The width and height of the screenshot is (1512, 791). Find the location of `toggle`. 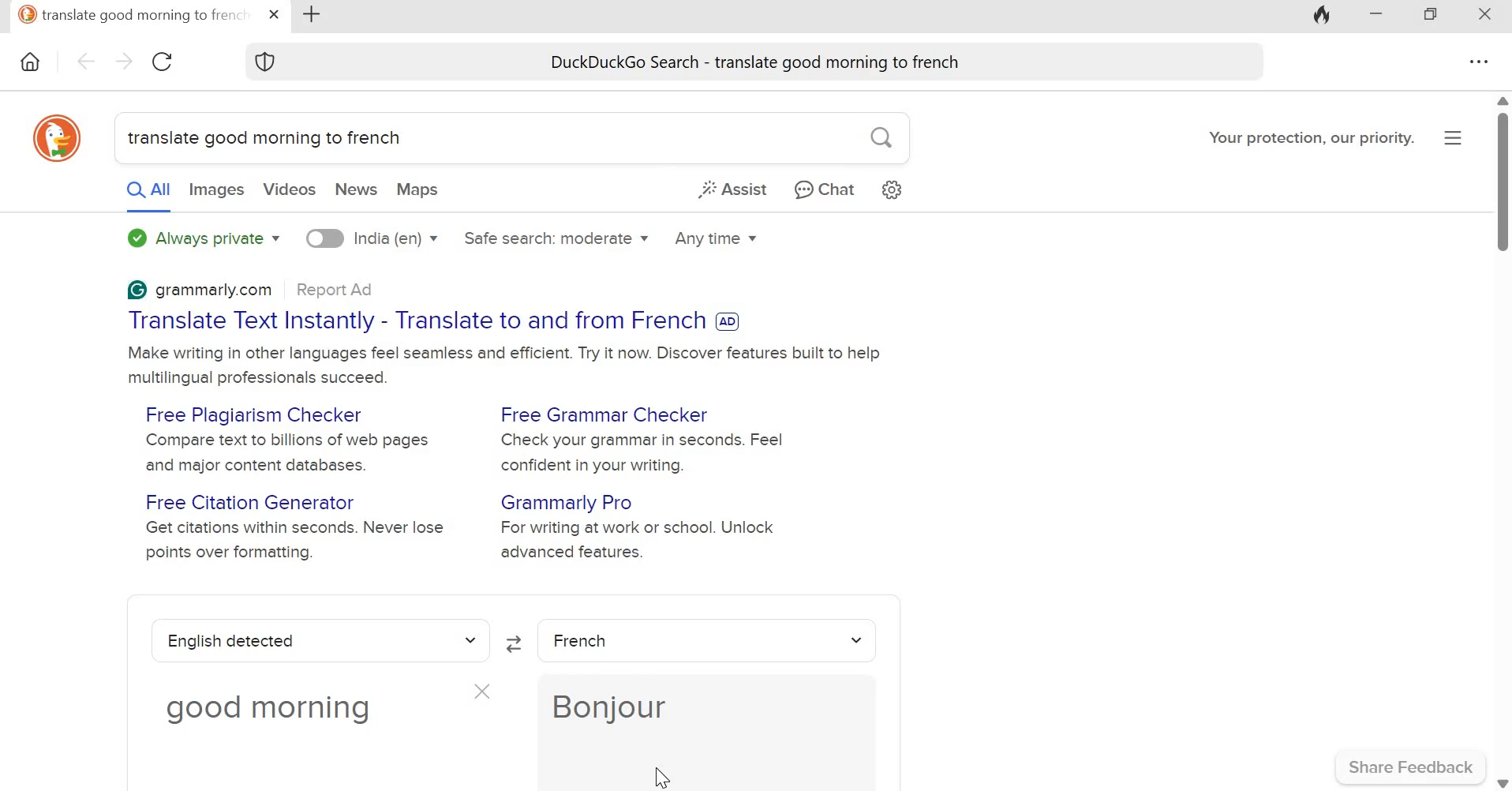

toggle is located at coordinates (324, 239).